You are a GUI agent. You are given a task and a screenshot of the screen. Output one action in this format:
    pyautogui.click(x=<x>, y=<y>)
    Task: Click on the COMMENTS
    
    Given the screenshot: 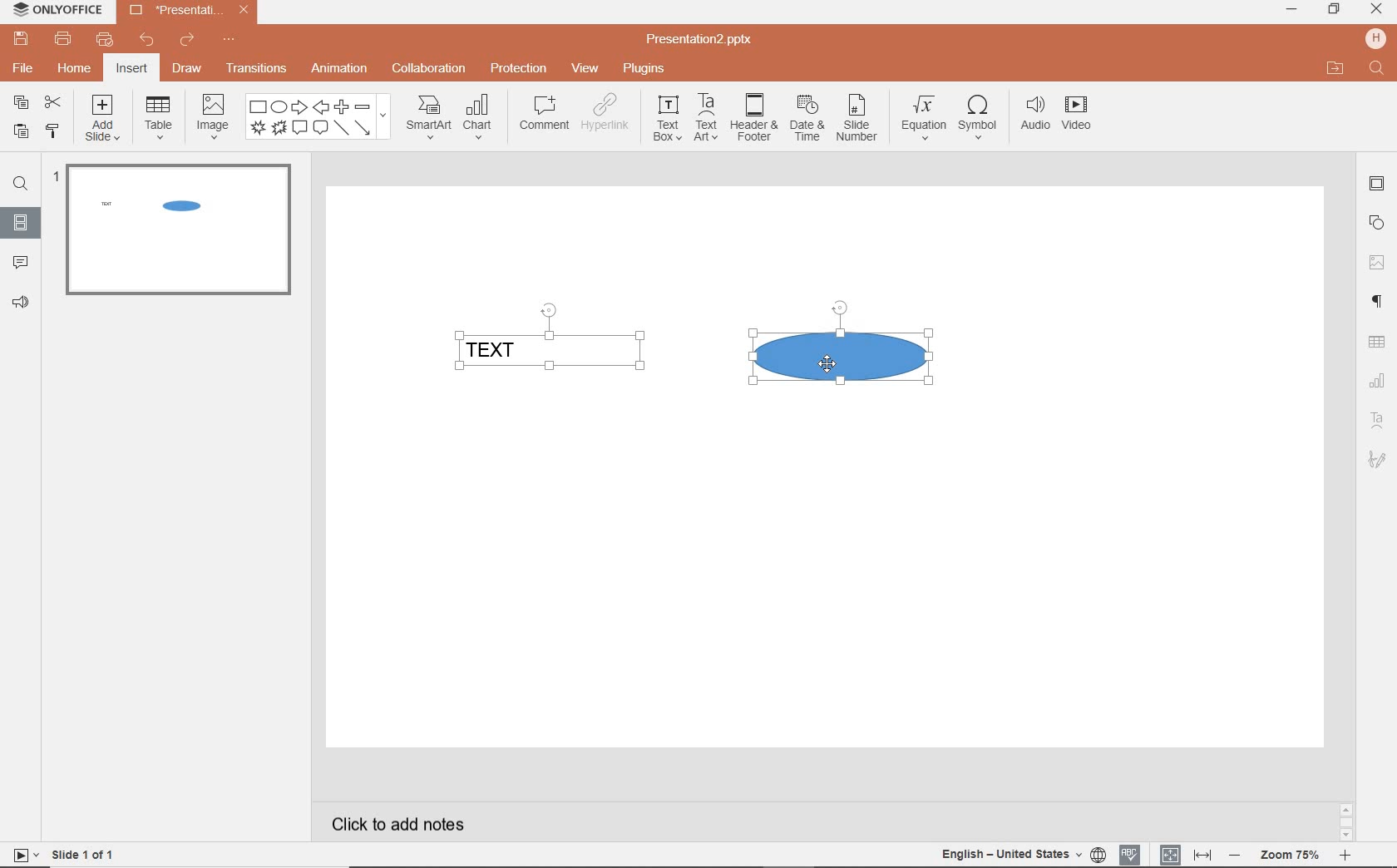 What is the action you would take?
    pyautogui.click(x=19, y=259)
    